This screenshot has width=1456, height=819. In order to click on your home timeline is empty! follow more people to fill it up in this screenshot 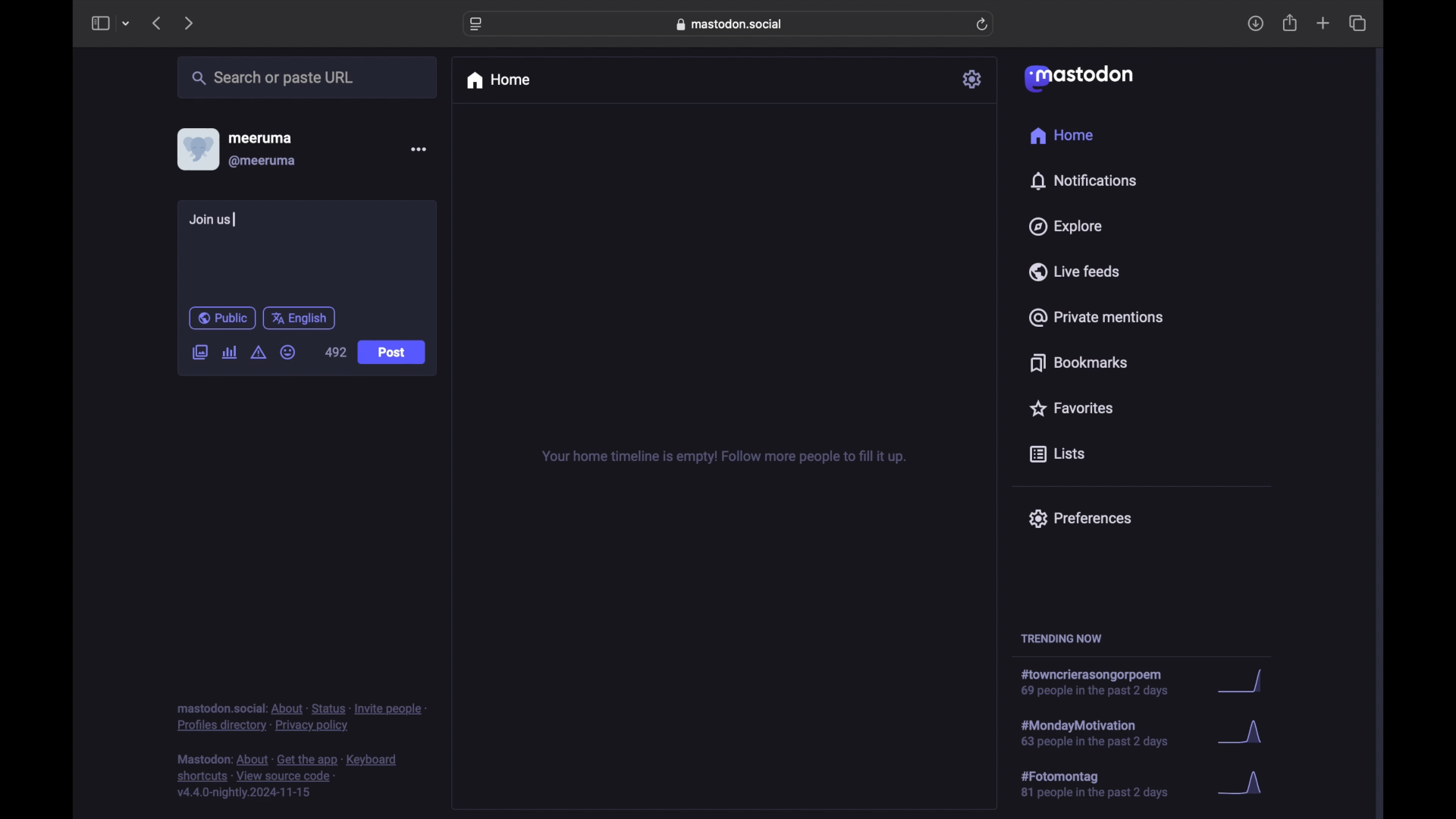, I will do `click(723, 457)`.